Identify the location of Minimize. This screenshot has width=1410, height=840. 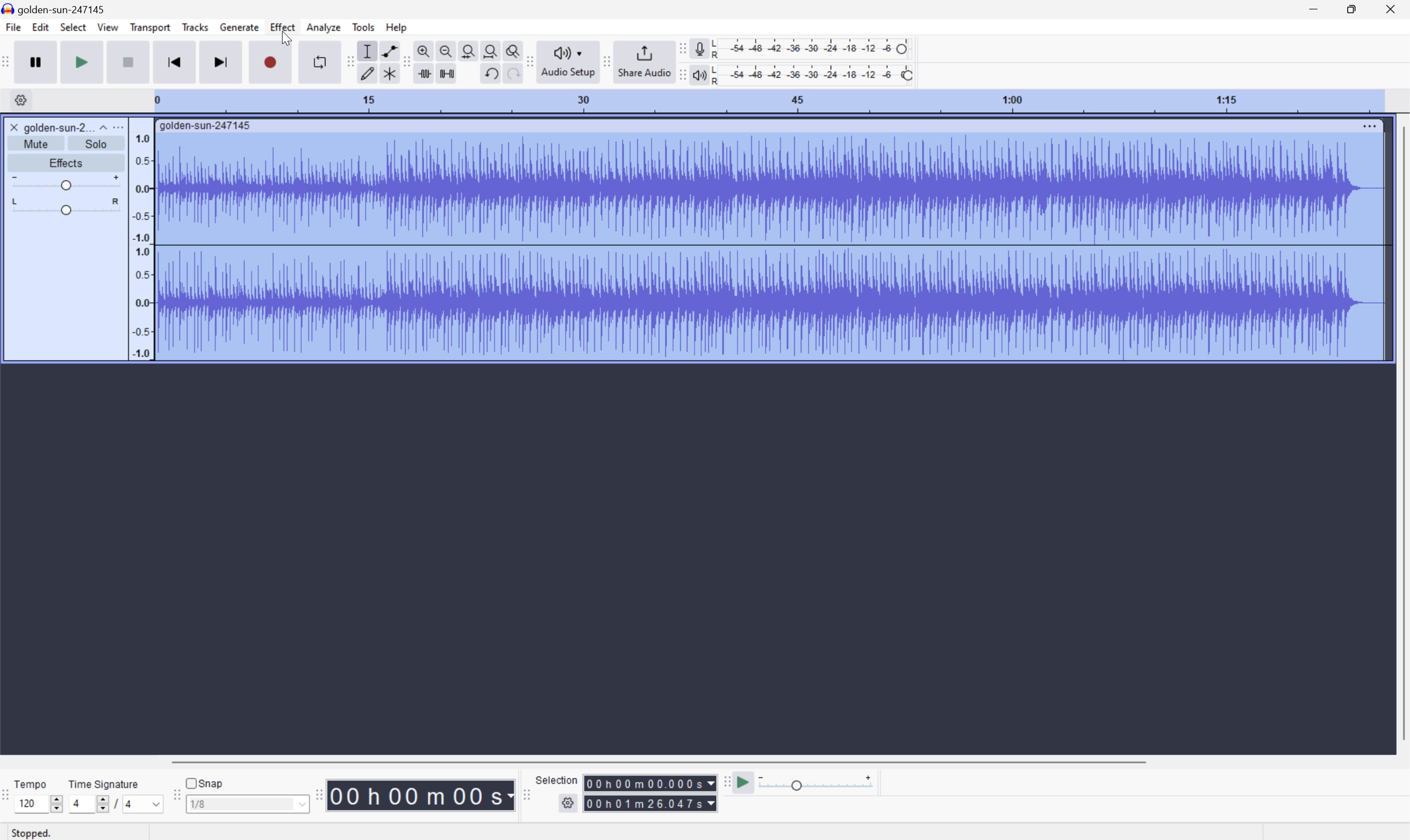
(1313, 8).